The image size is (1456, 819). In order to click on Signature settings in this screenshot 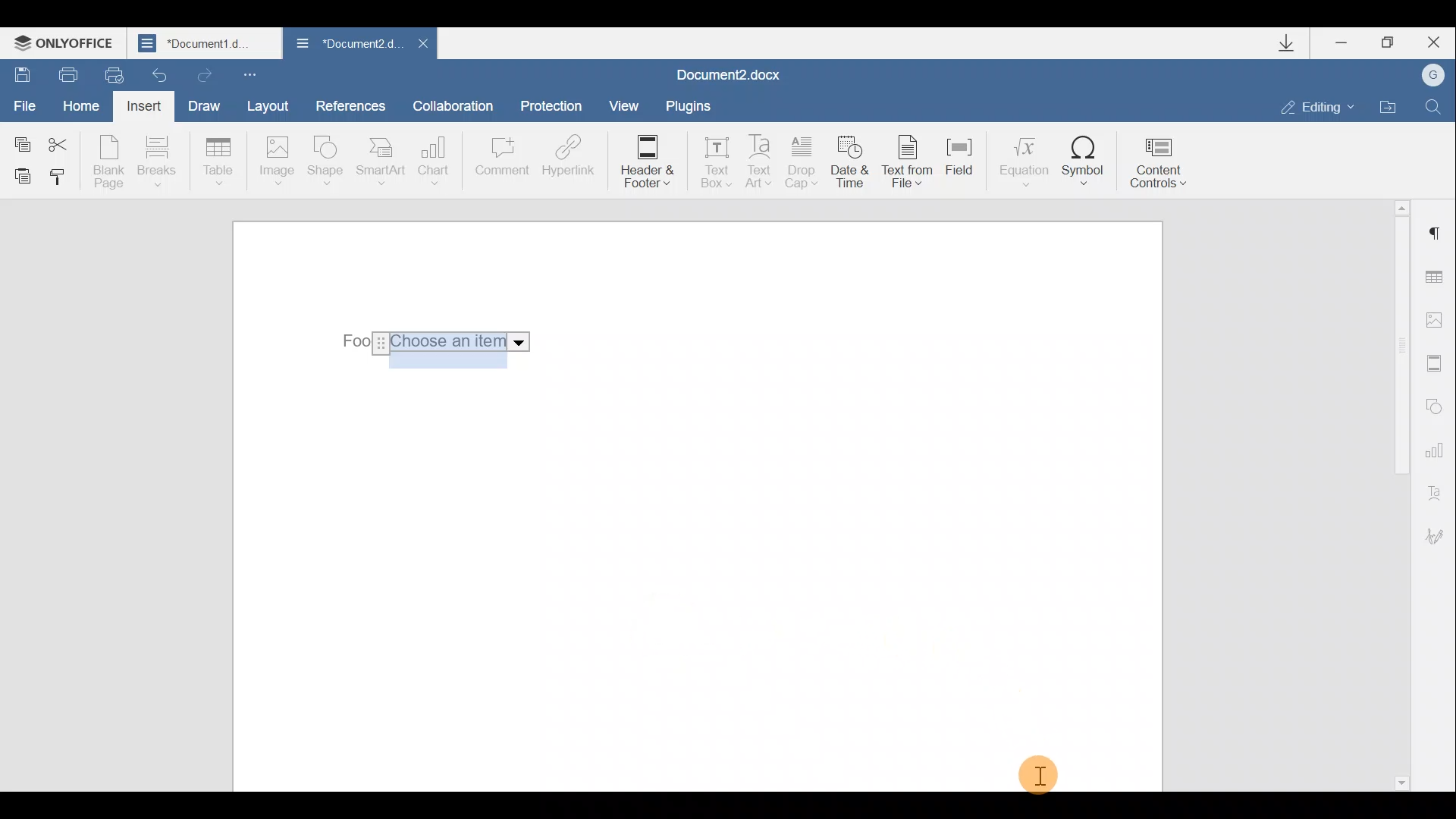, I will do `click(1441, 536)`.